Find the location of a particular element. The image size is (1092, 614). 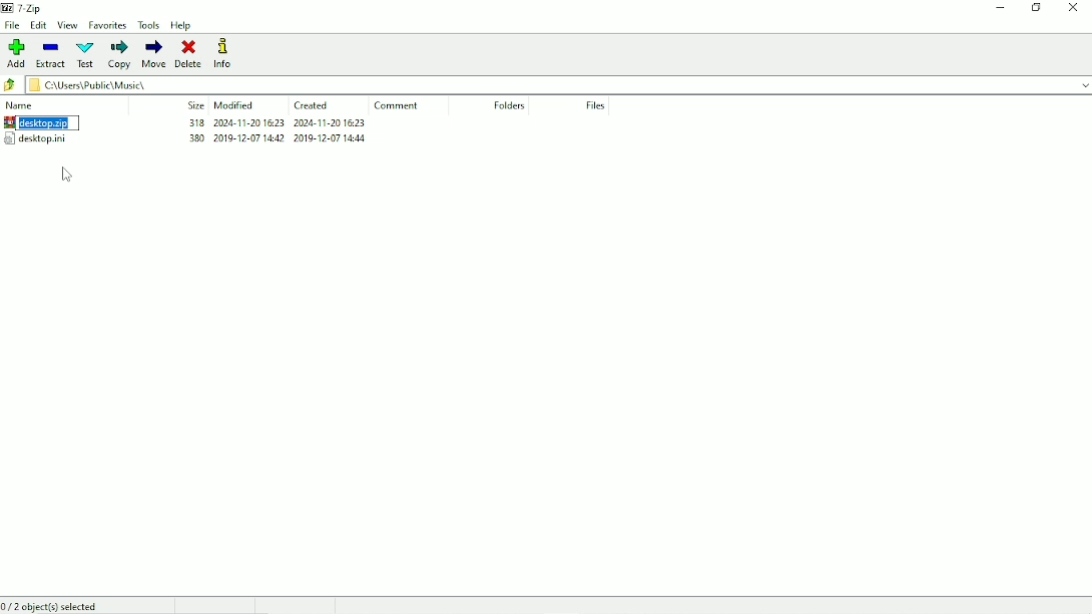

Back is located at coordinates (11, 85).